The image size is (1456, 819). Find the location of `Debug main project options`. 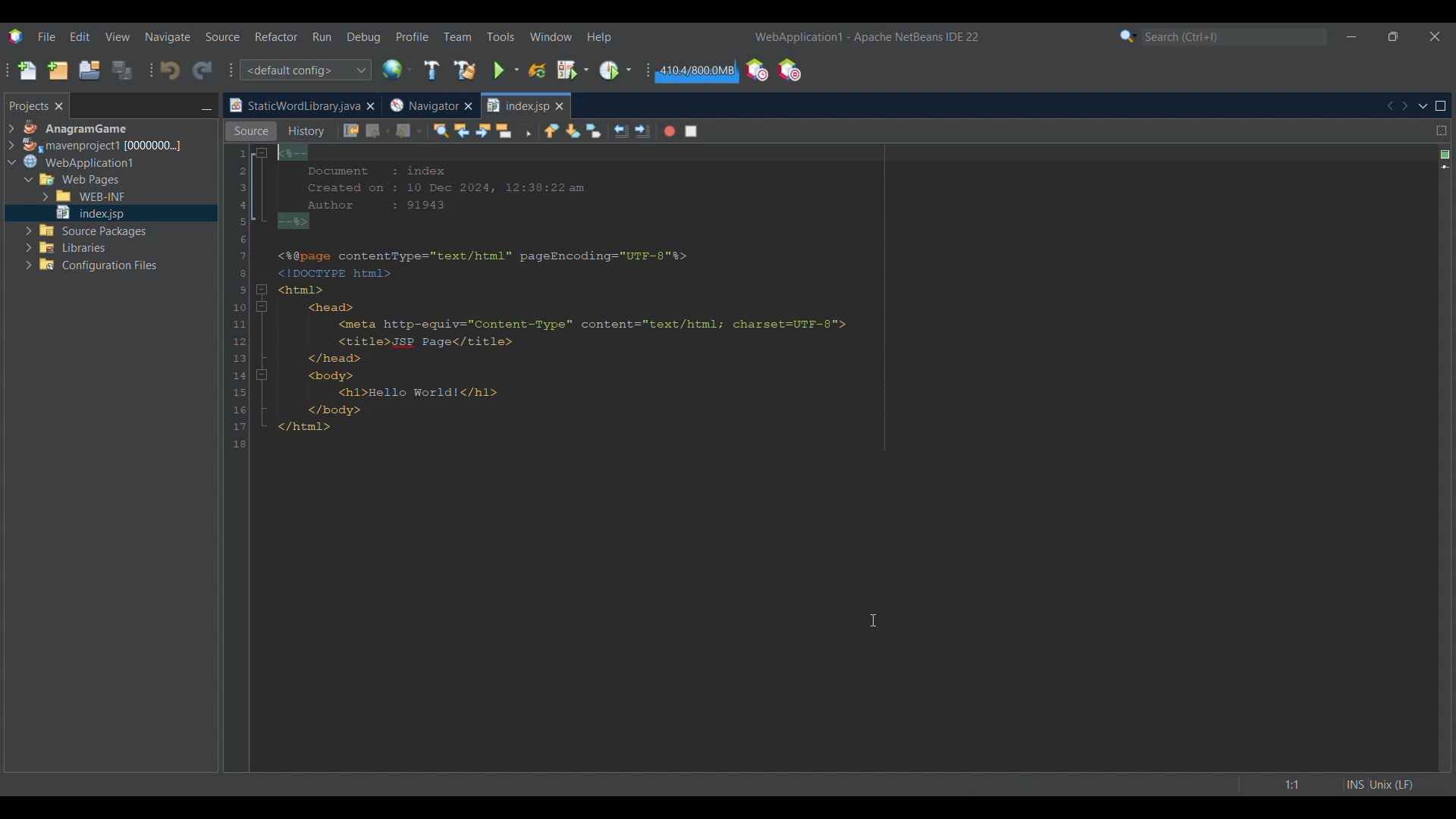

Debug main project options is located at coordinates (573, 69).